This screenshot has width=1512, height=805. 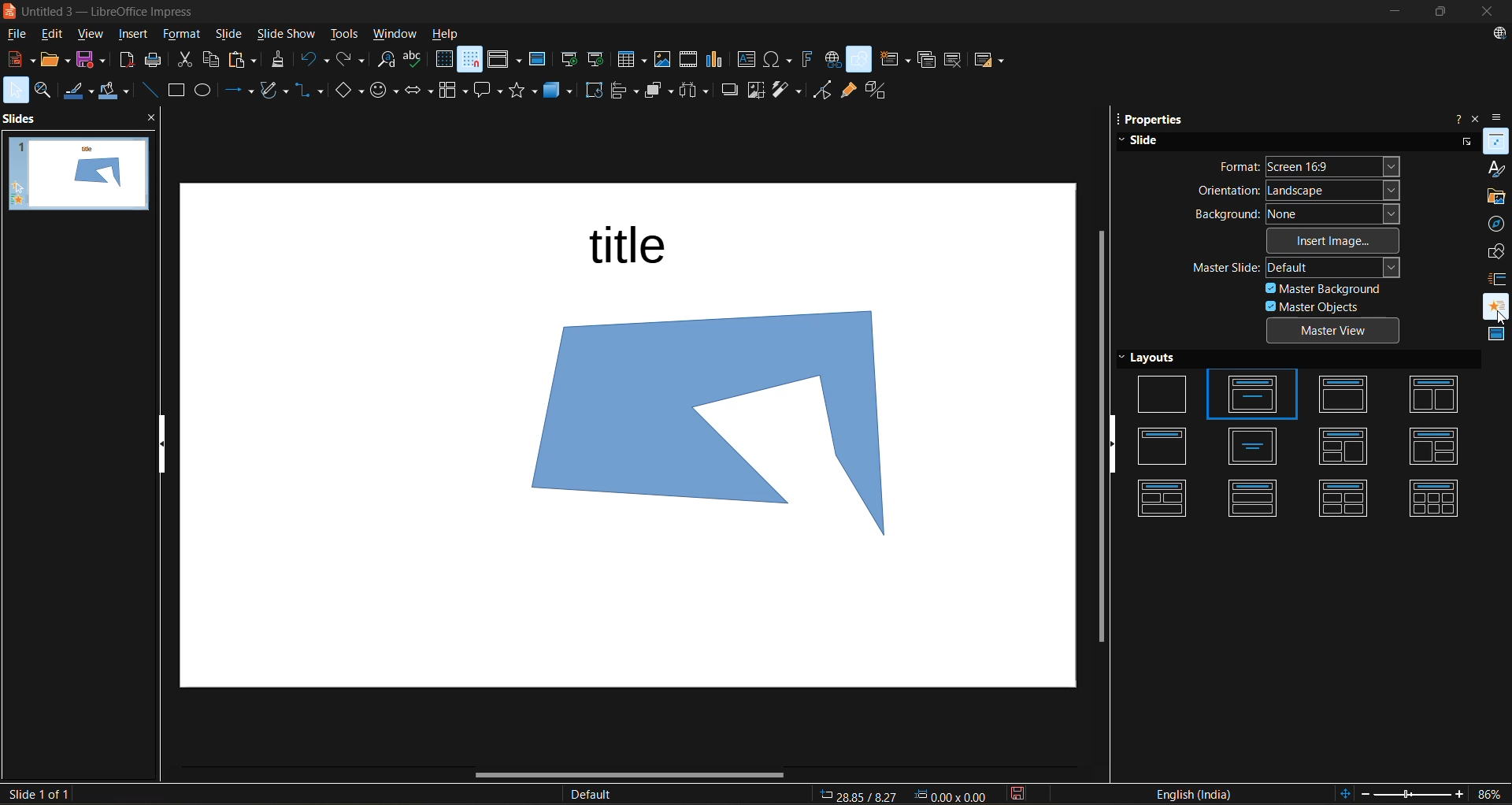 What do you see at coordinates (206, 91) in the screenshot?
I see `ellipse` at bounding box center [206, 91].